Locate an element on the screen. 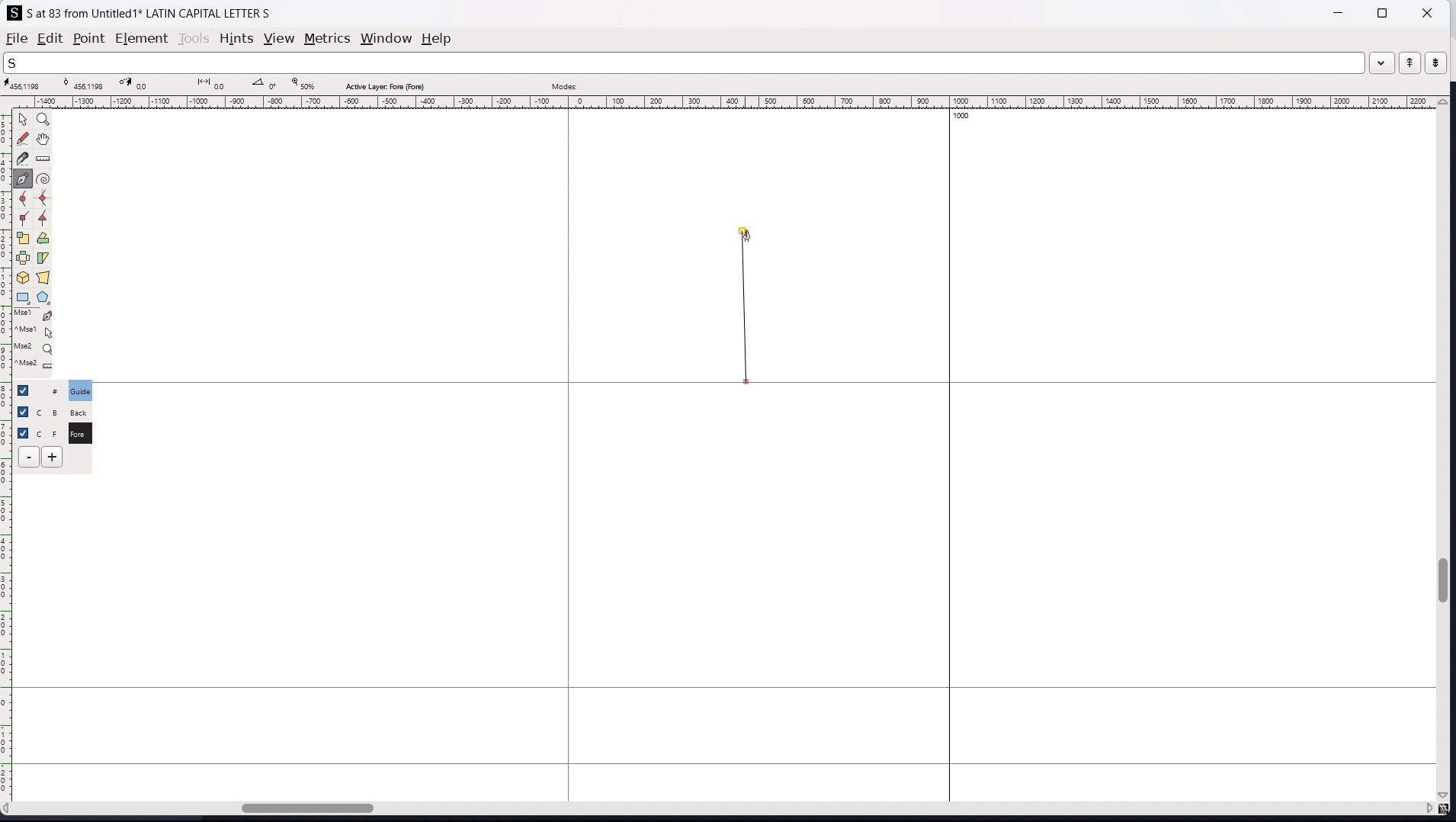  metrics is located at coordinates (327, 38).